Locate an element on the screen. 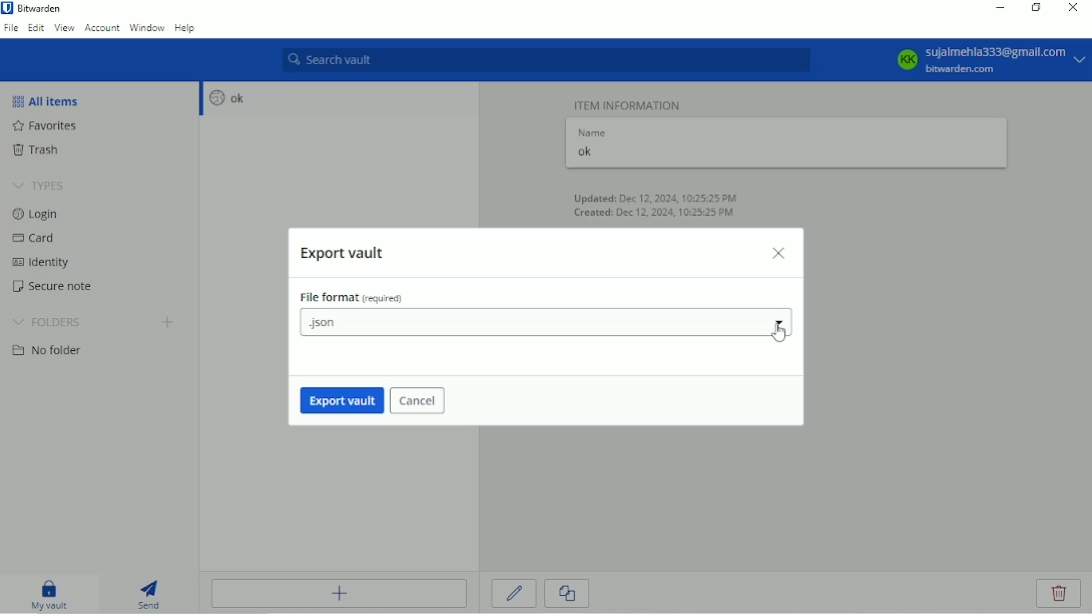  Account is located at coordinates (102, 27).